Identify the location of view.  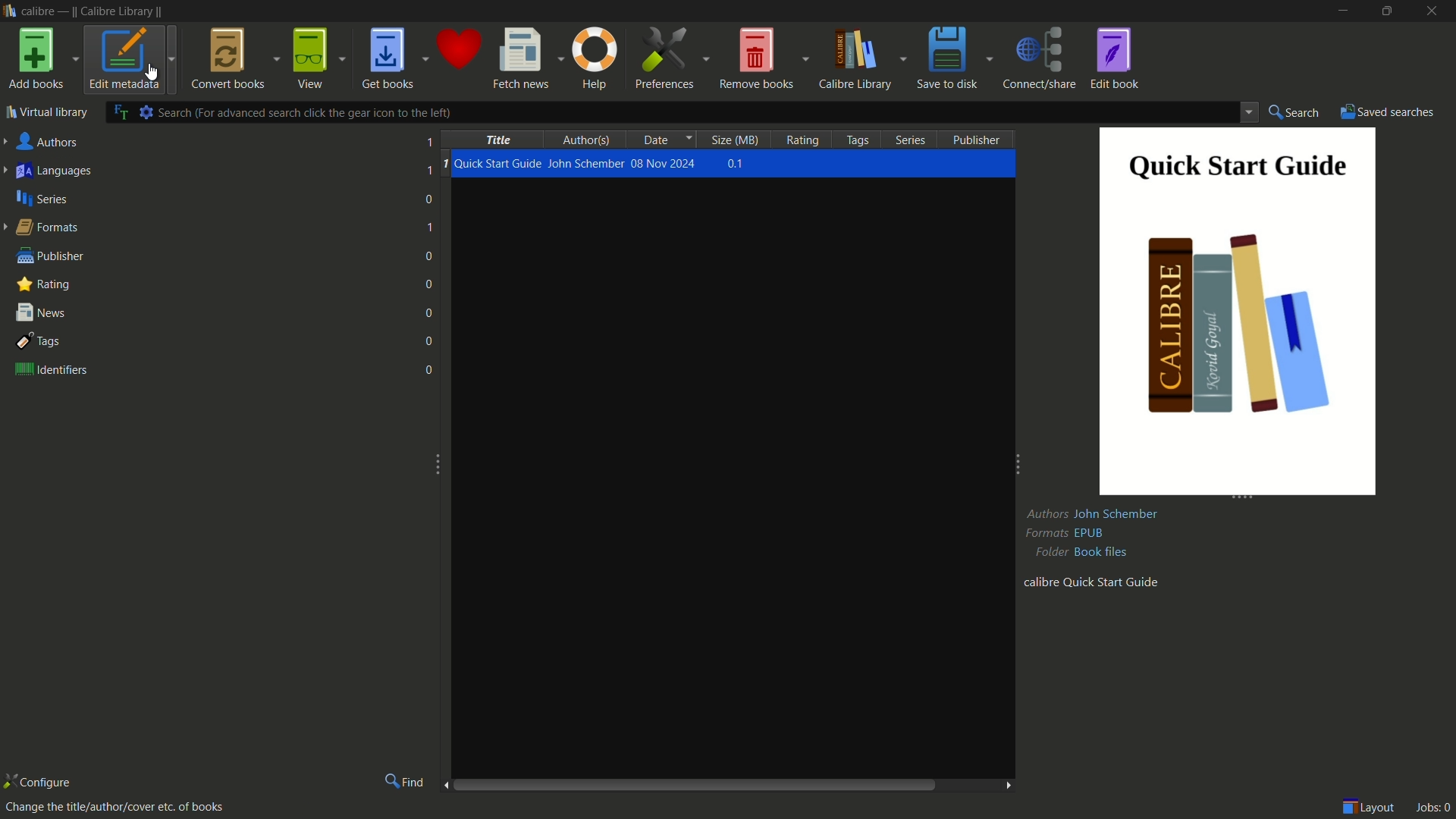
(318, 59).